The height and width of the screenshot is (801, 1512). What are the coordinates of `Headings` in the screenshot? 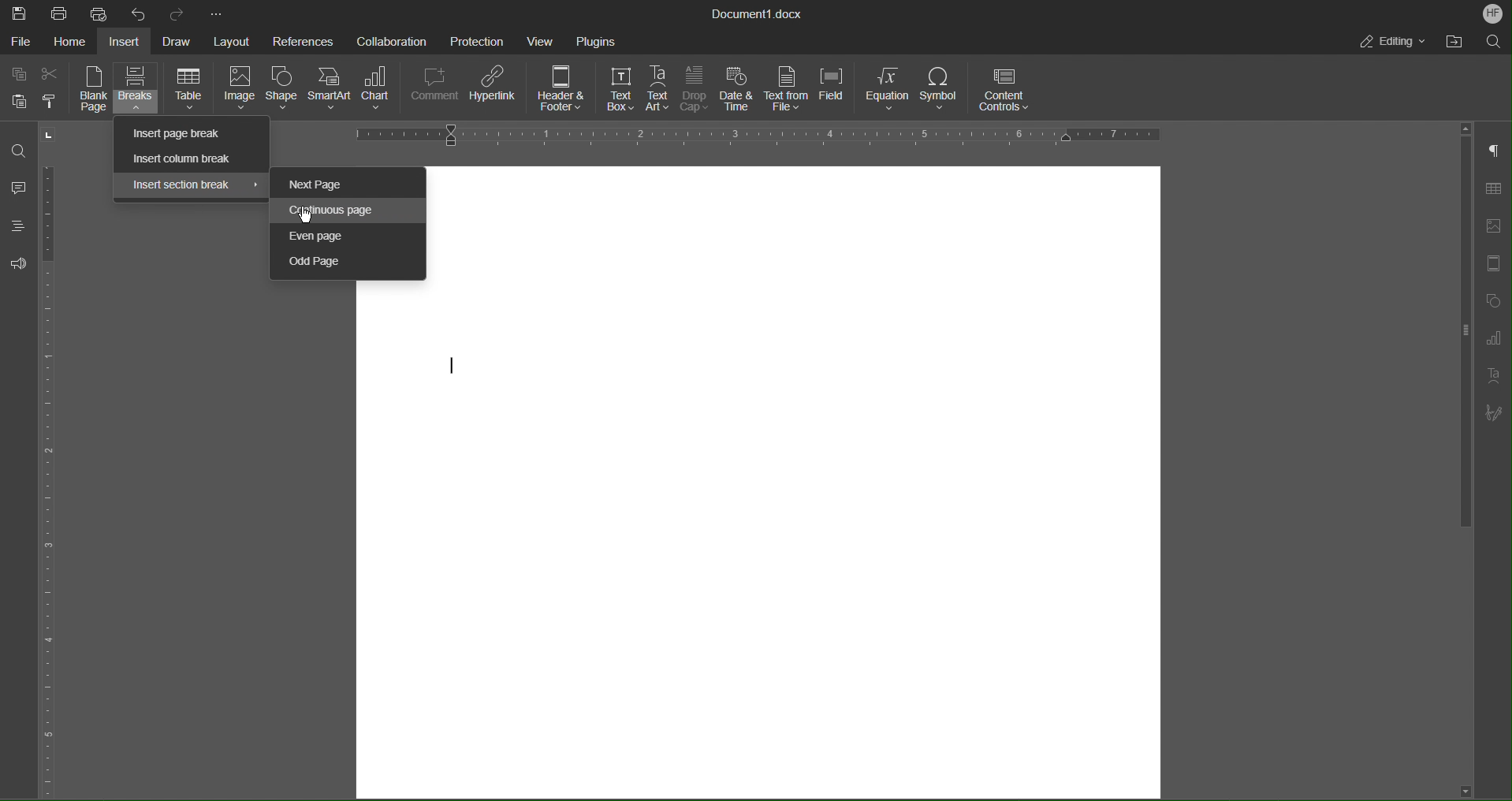 It's located at (15, 226).